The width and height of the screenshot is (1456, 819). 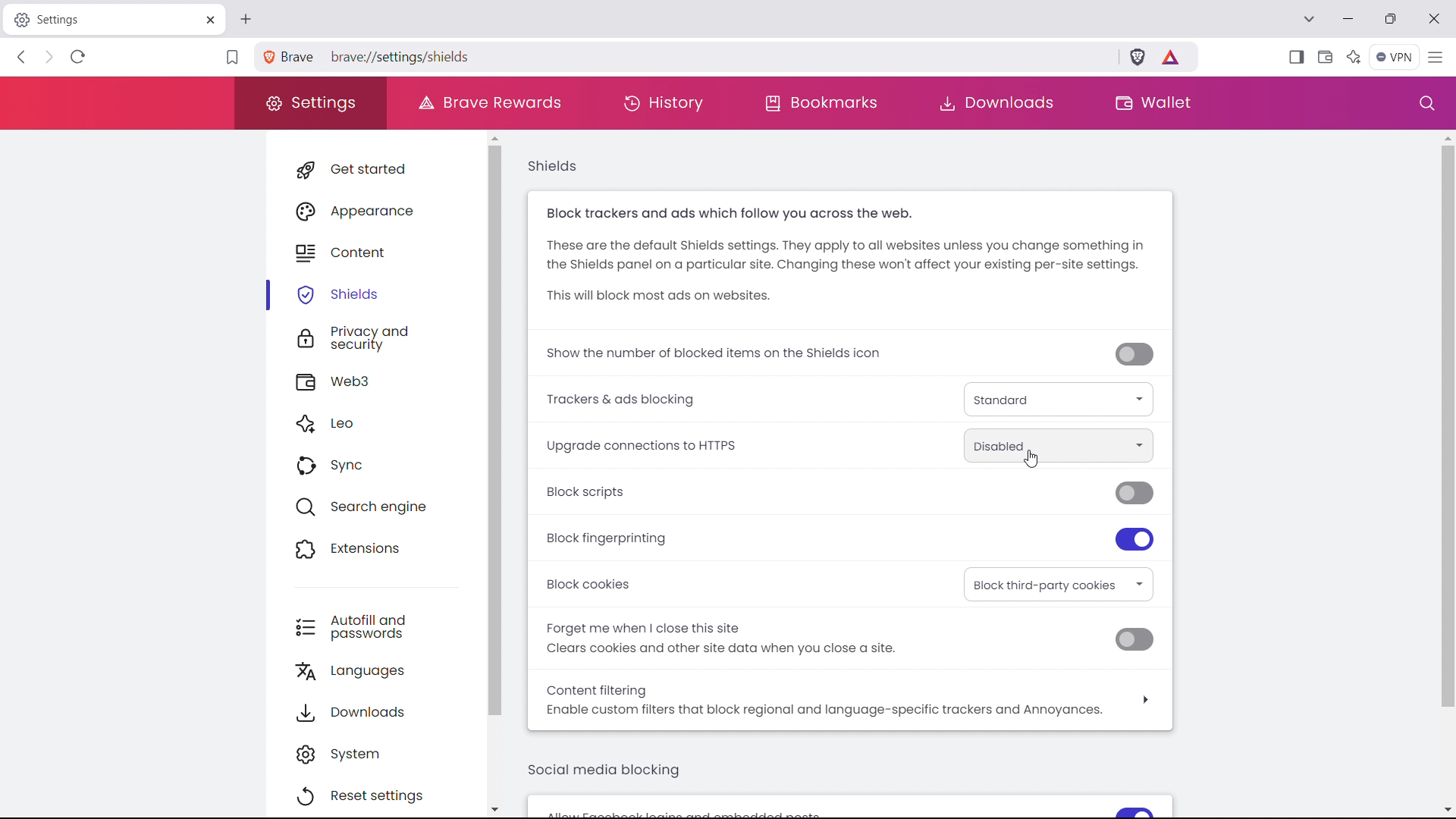 What do you see at coordinates (101, 19) in the screenshot?
I see `tabtitle` at bounding box center [101, 19].